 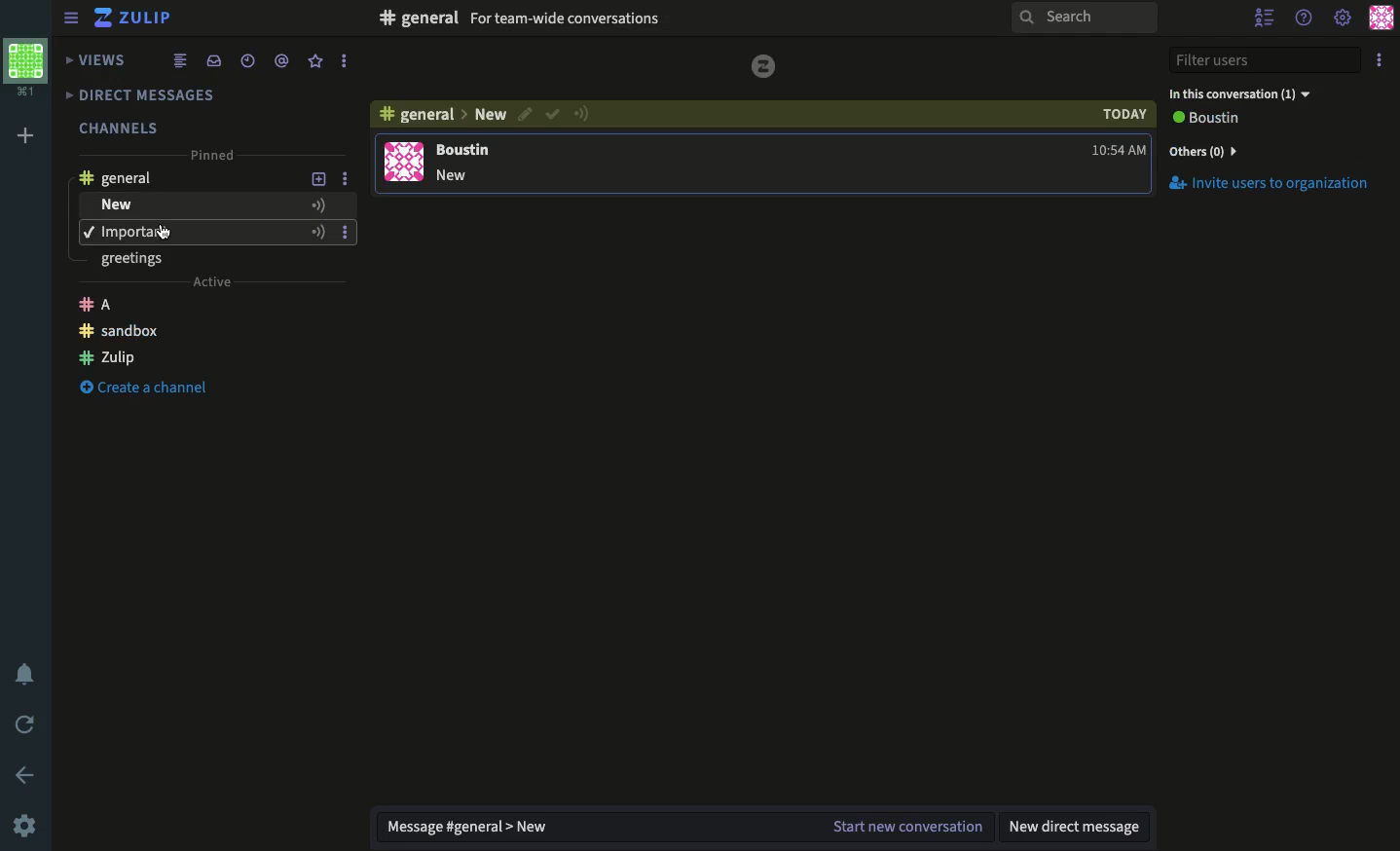 What do you see at coordinates (167, 233) in the screenshot?
I see `Cursor` at bounding box center [167, 233].